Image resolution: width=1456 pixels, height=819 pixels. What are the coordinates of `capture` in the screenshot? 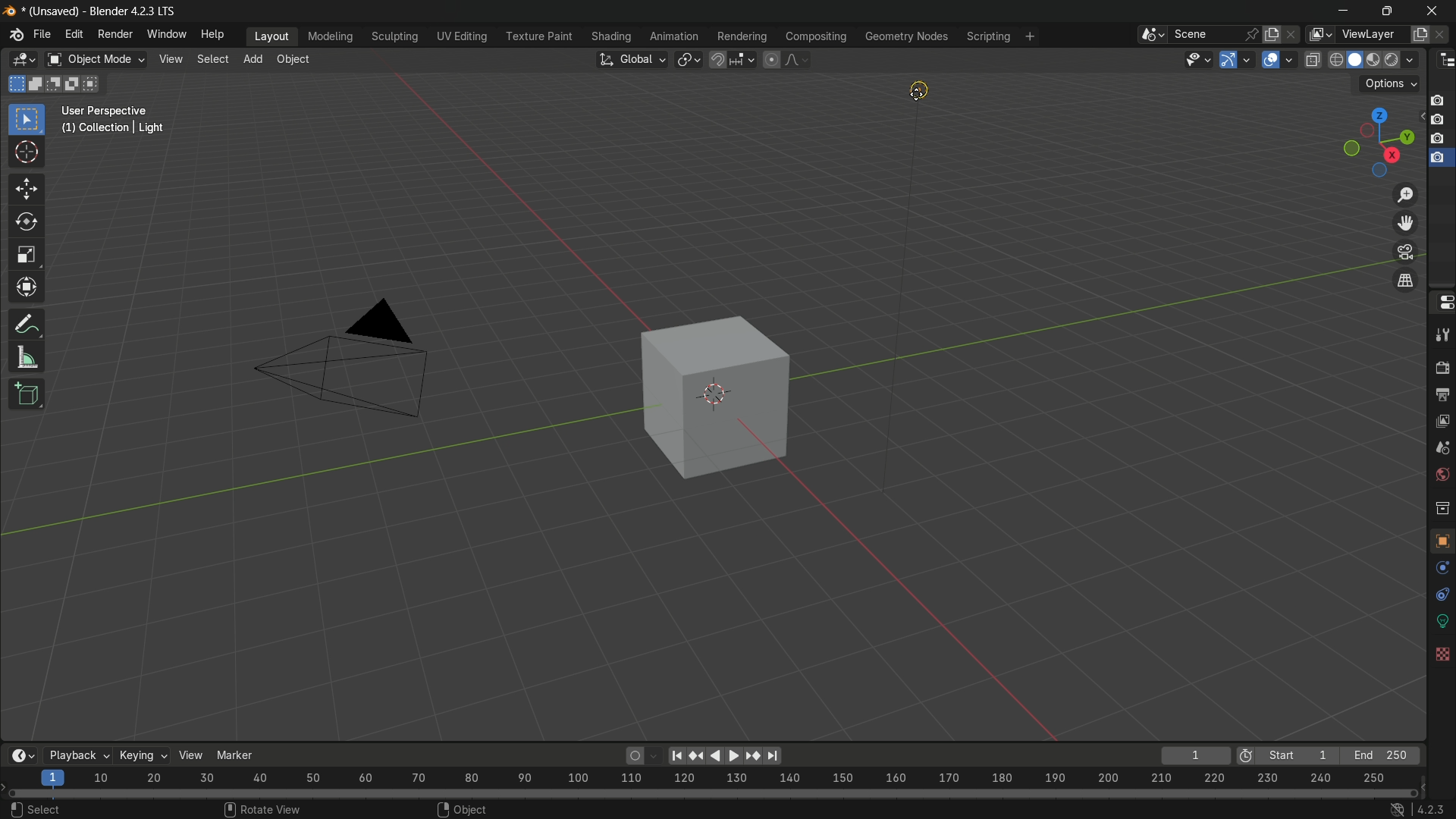 It's located at (1438, 162).